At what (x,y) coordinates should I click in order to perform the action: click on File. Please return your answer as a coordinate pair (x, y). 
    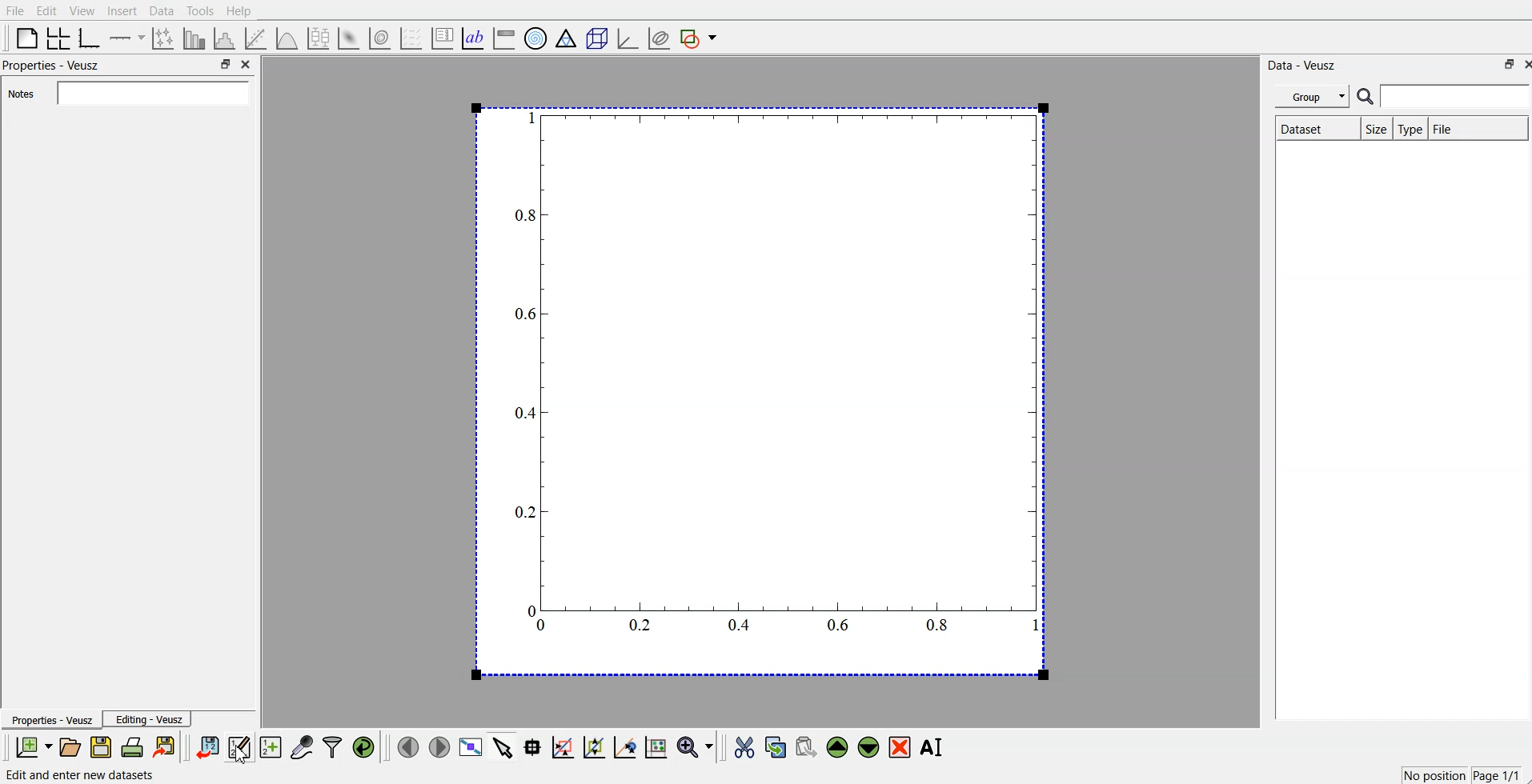
    Looking at the image, I should click on (16, 10).